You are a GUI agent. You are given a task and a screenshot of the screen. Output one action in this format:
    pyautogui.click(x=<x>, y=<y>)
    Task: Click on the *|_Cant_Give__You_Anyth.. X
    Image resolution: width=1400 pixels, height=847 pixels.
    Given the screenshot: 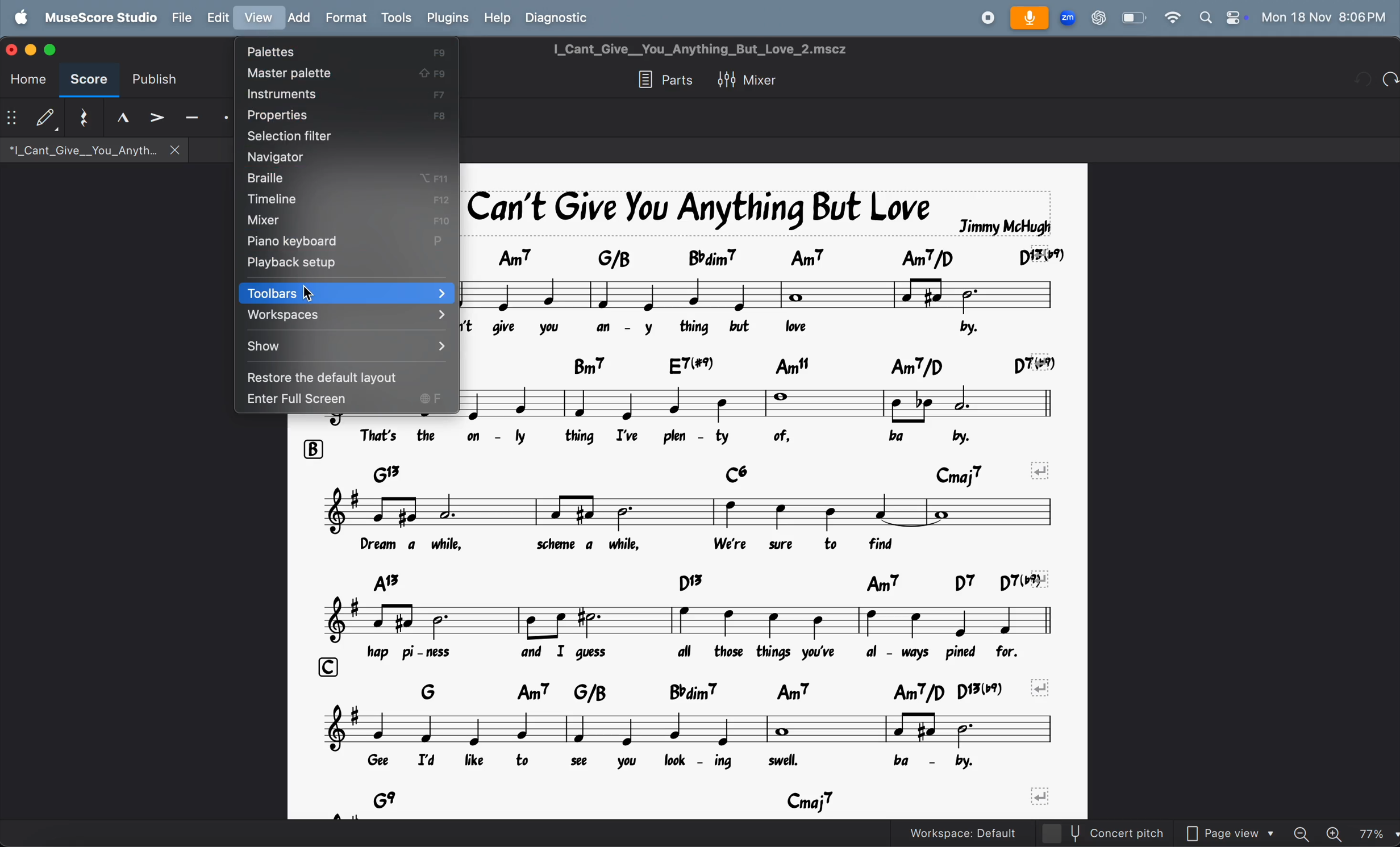 What is the action you would take?
    pyautogui.click(x=93, y=150)
    